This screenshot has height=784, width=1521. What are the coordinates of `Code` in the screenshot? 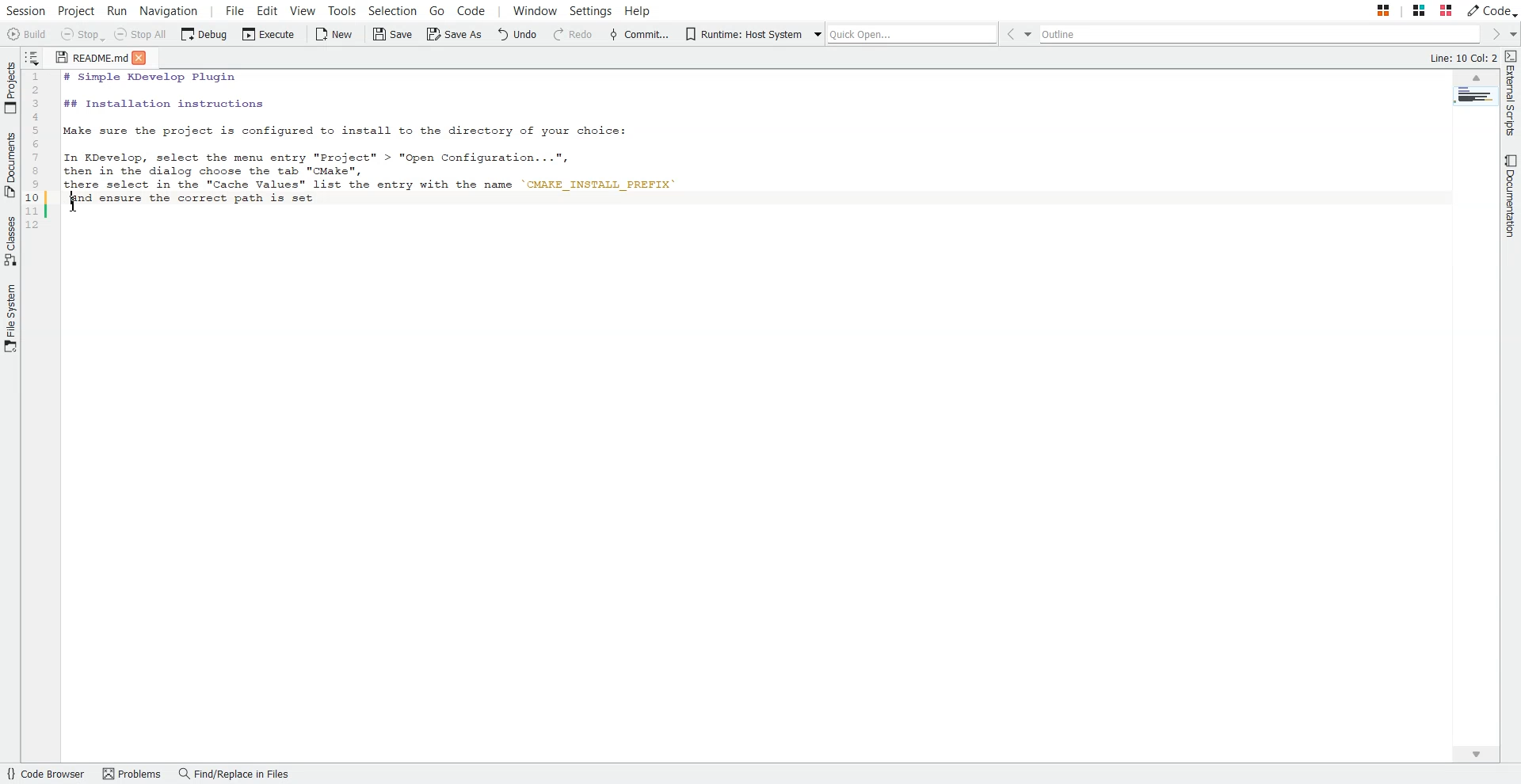 It's located at (470, 10).